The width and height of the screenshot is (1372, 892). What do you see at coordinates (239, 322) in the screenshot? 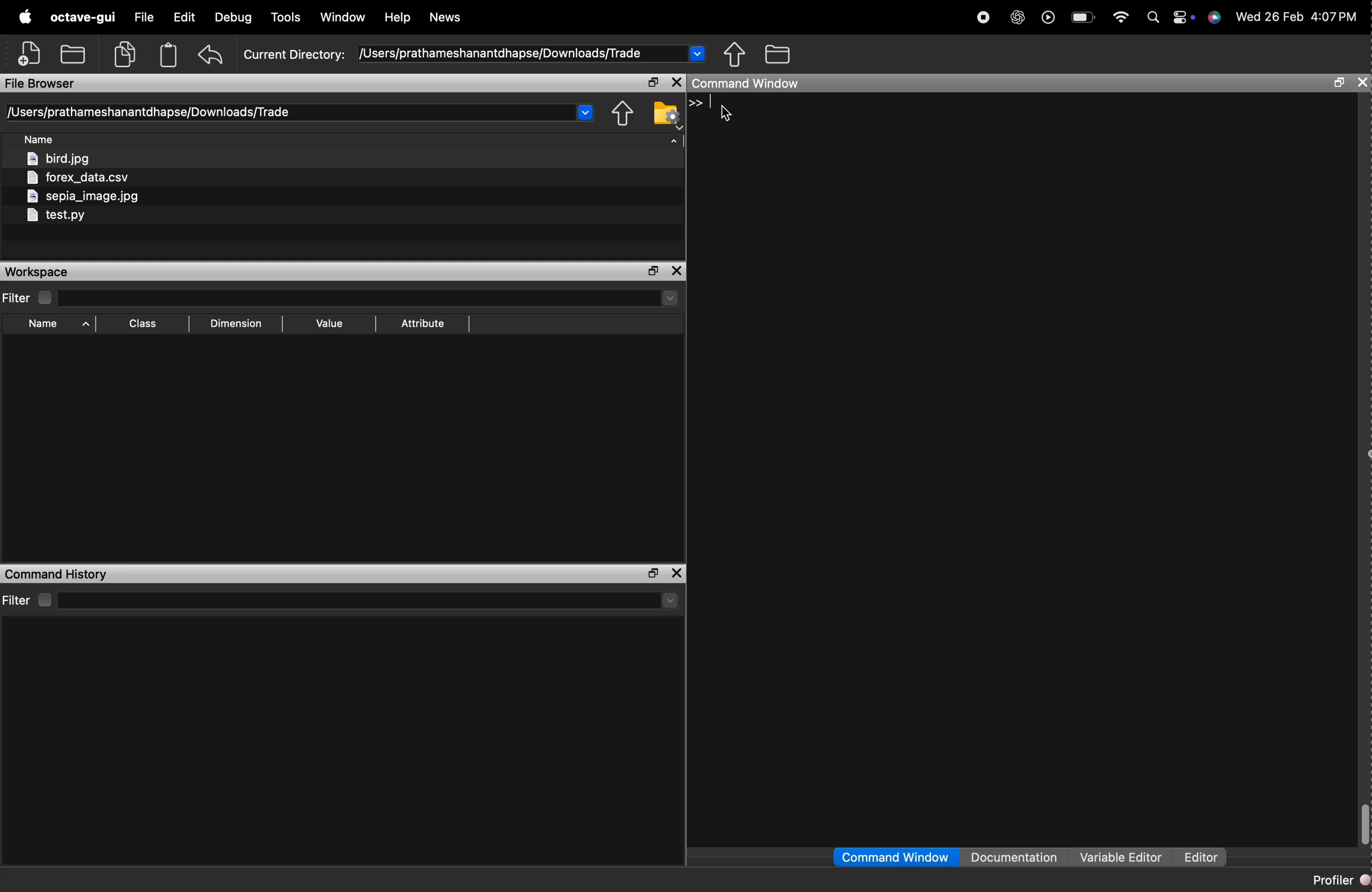
I see `Dimension` at bounding box center [239, 322].